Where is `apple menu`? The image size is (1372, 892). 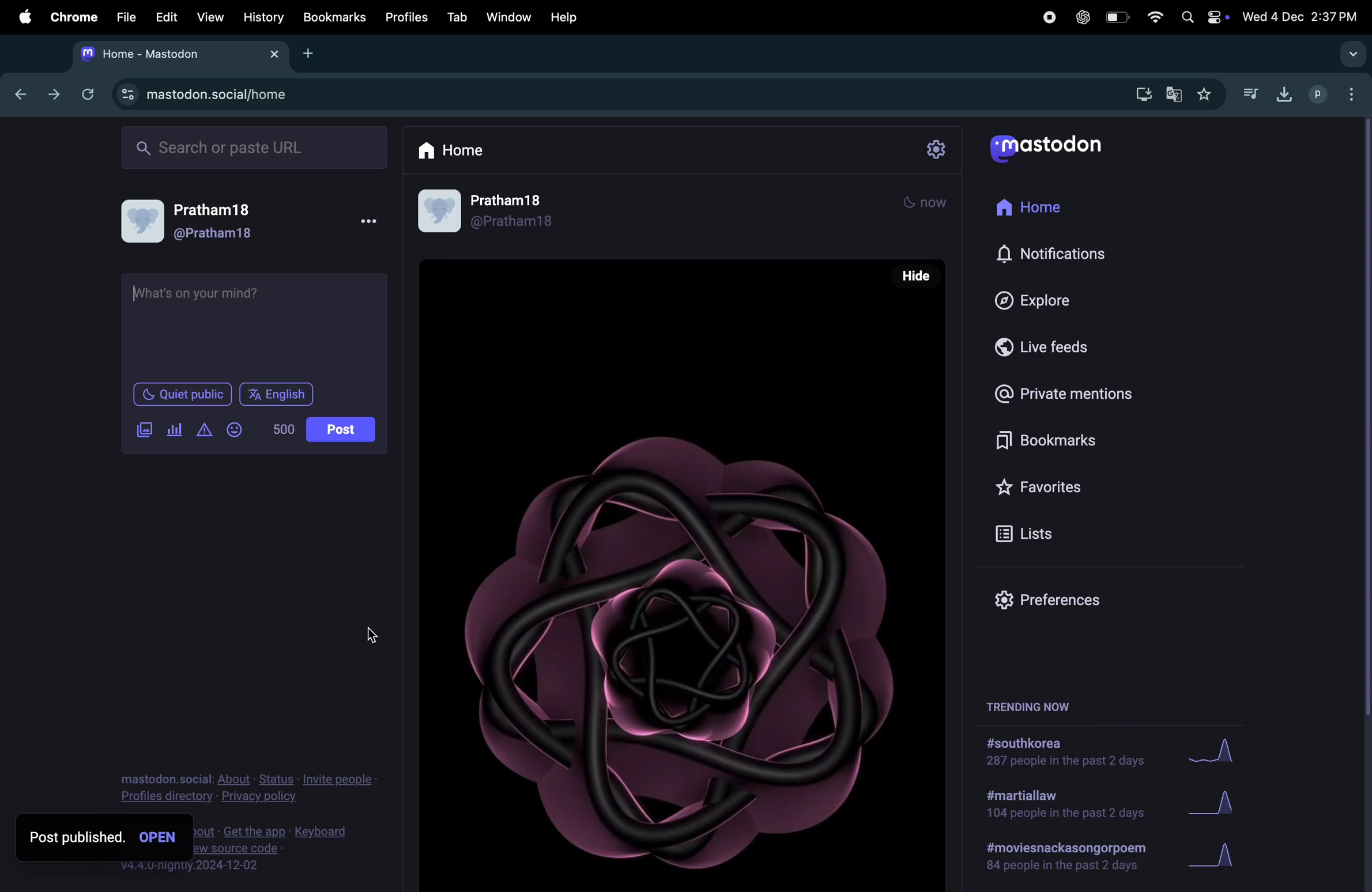
apple menu is located at coordinates (20, 17).